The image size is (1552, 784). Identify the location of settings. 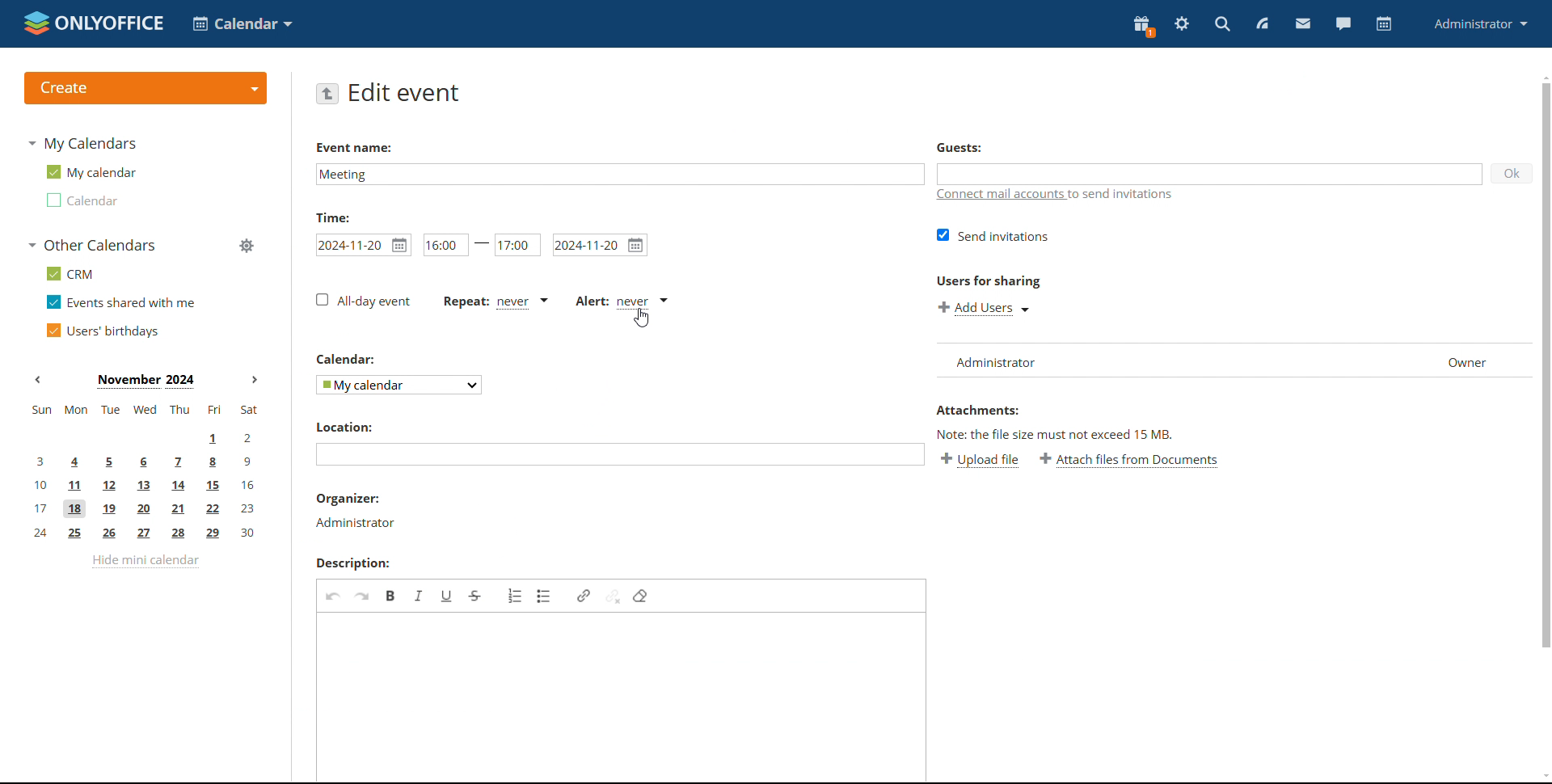
(1183, 23).